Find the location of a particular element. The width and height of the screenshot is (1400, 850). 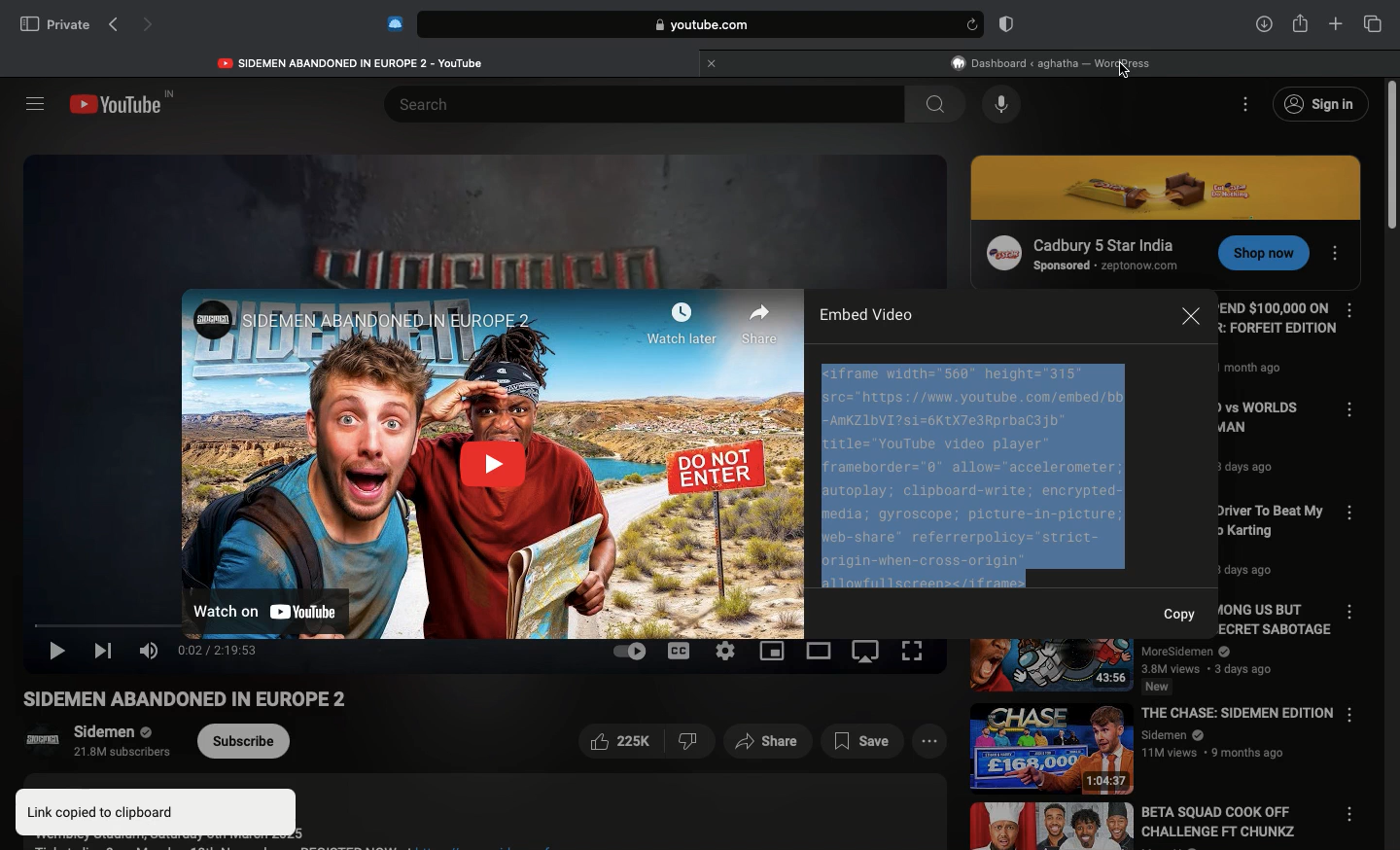

Youtube is located at coordinates (353, 60).